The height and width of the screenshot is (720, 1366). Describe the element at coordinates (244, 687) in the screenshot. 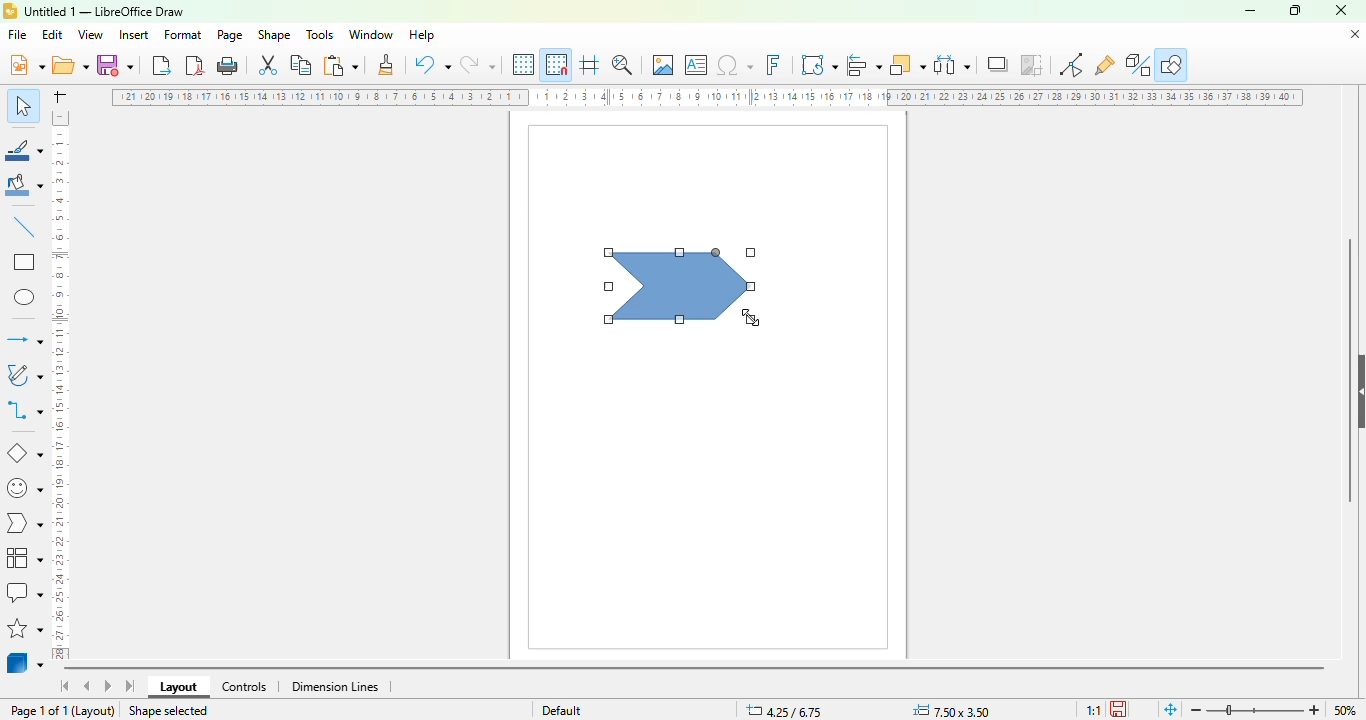

I see `controls` at that location.